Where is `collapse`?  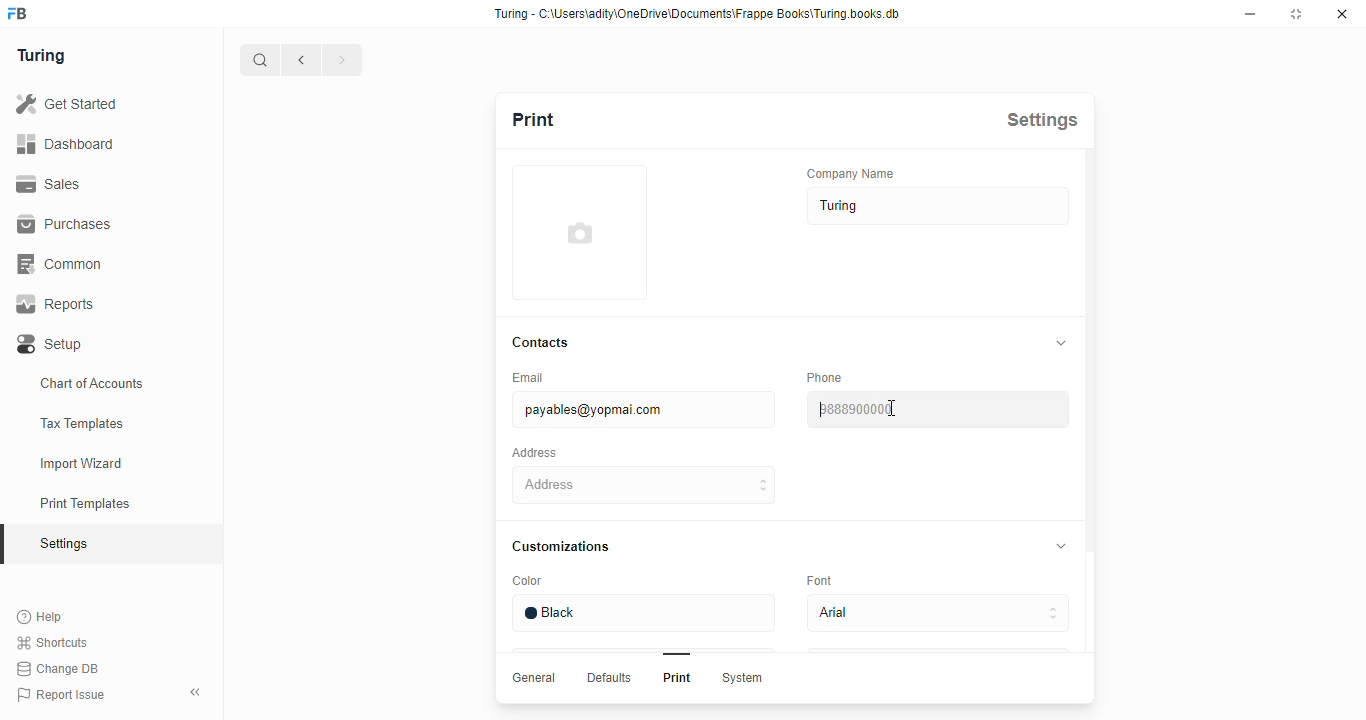 collapse is located at coordinates (1056, 341).